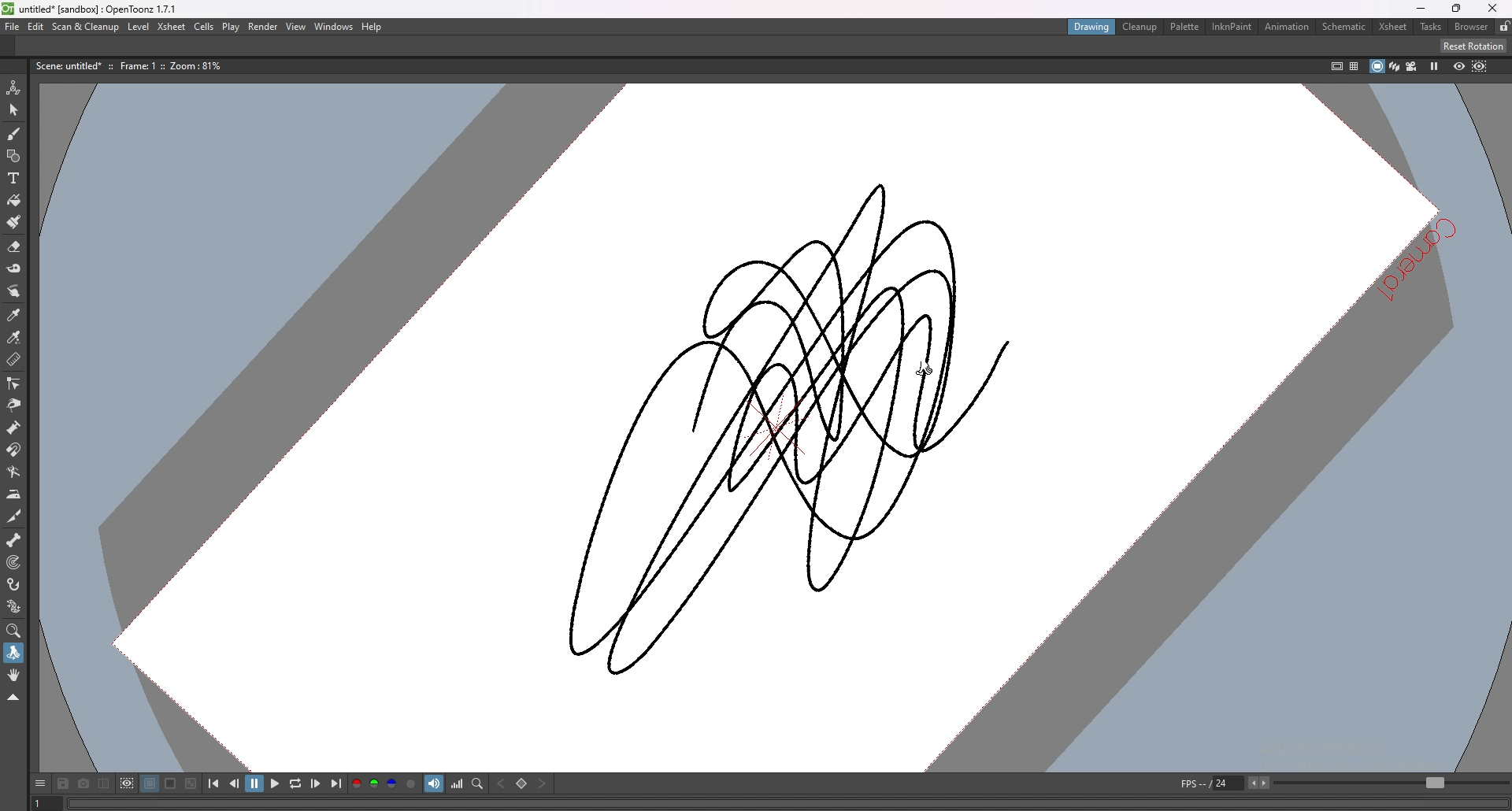 Image resolution: width=1512 pixels, height=811 pixels. I want to click on last frame, so click(335, 783).